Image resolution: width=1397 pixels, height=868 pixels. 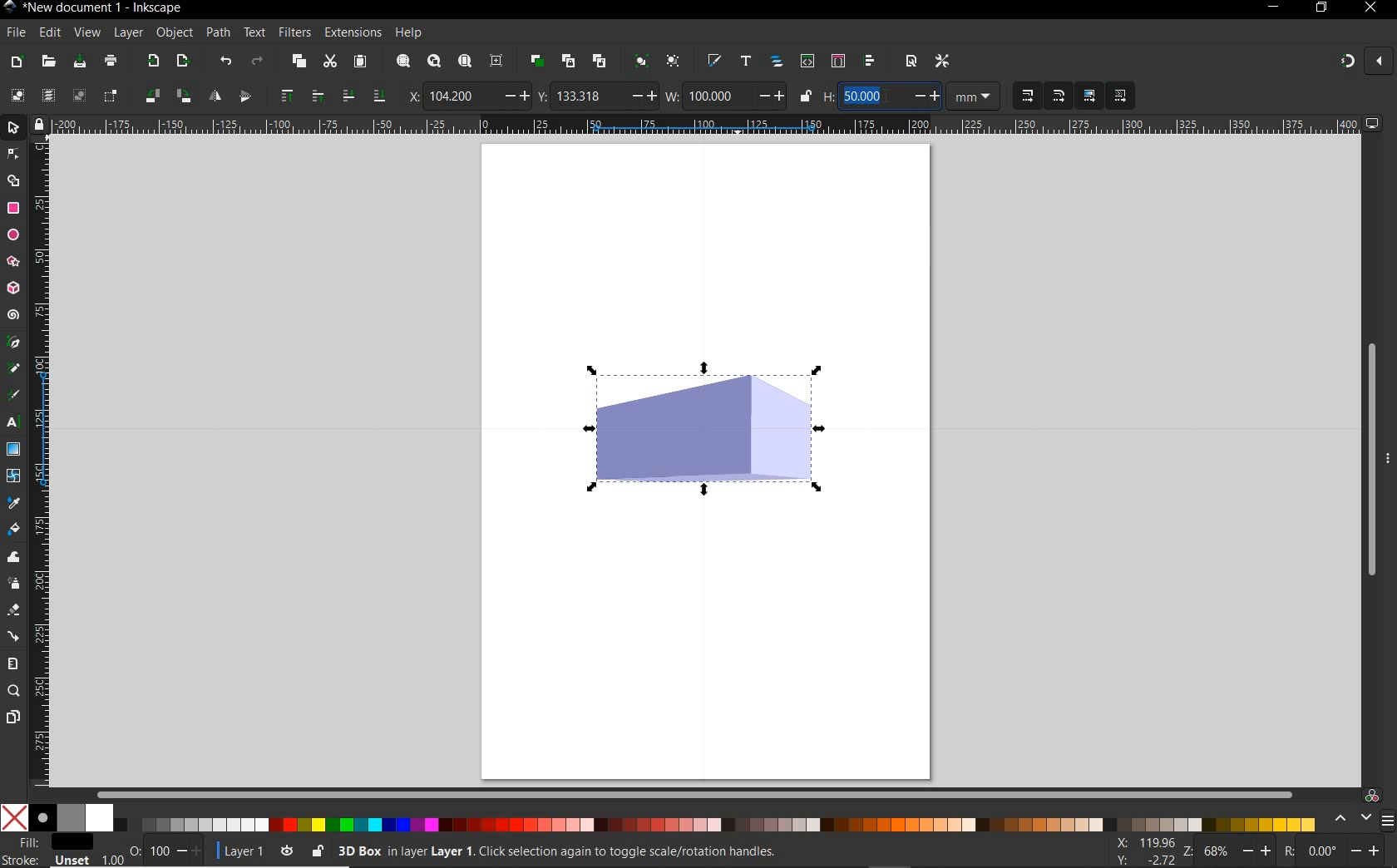 I want to click on duplicate, so click(x=536, y=62).